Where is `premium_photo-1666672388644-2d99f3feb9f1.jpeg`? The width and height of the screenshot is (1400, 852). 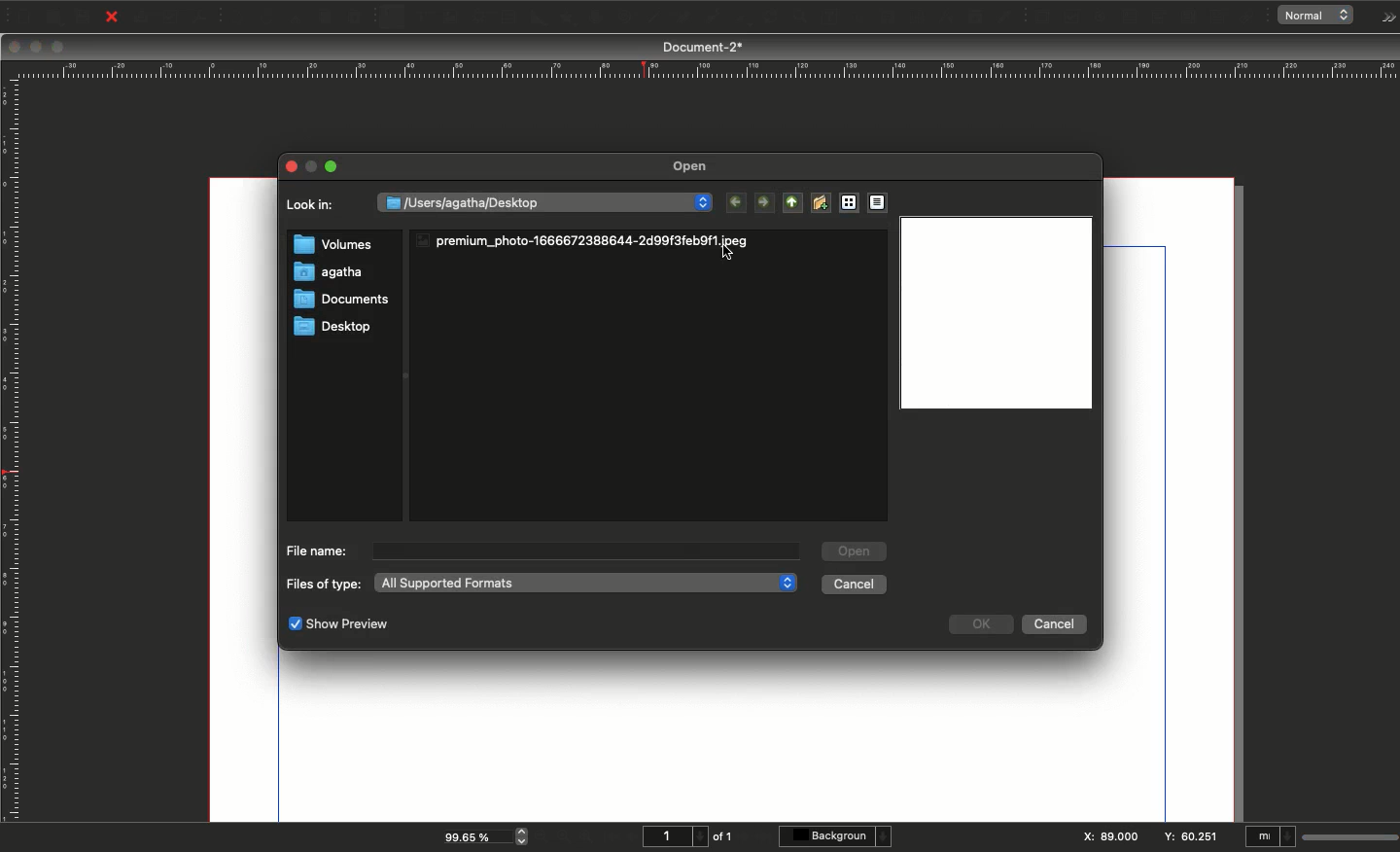 premium_photo-1666672388644-2d99f3feb9f1.jpeg is located at coordinates (587, 239).